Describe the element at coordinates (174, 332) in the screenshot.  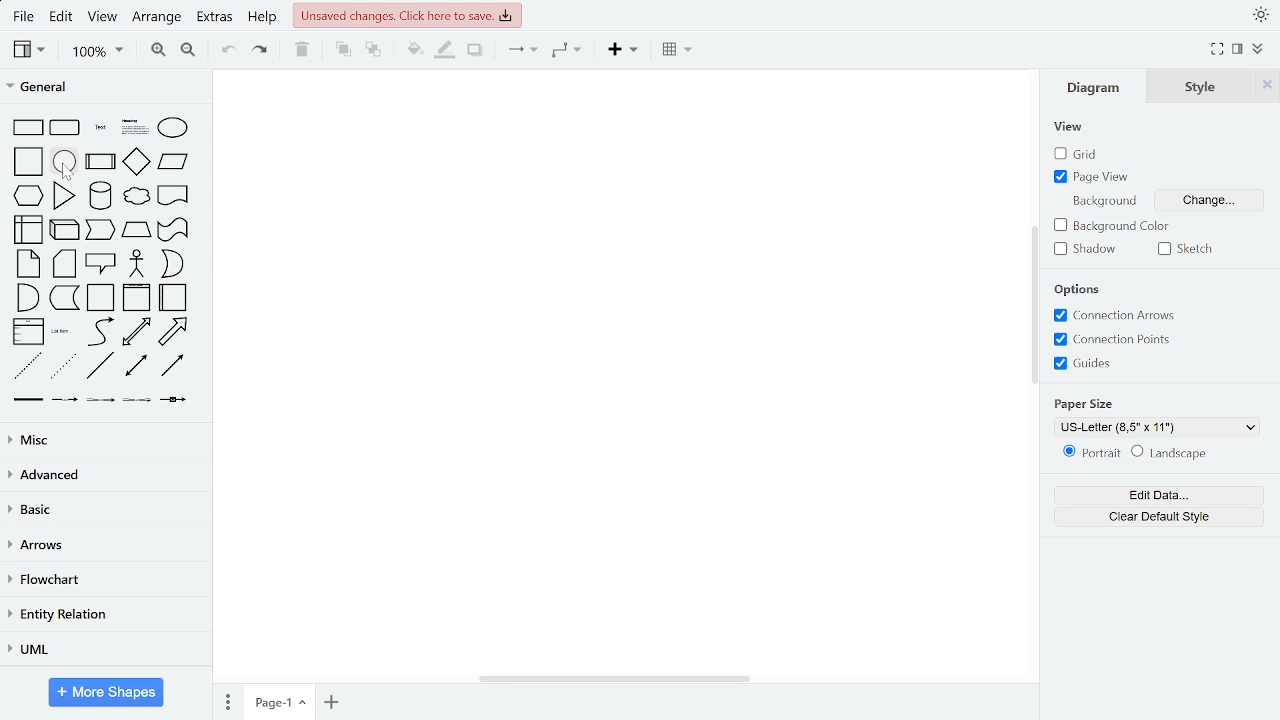
I see `arrow` at that location.